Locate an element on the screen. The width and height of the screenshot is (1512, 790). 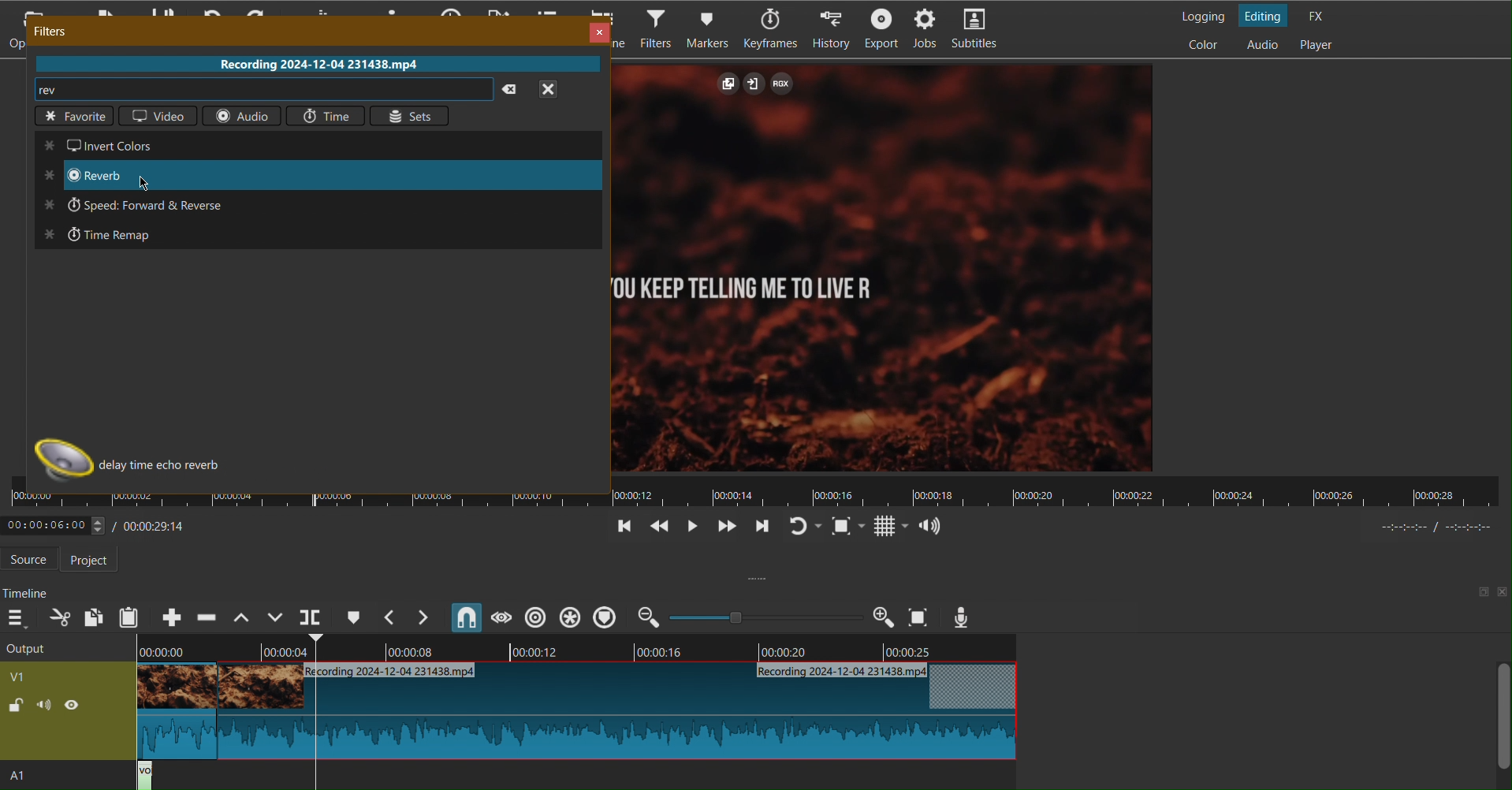
Scrub is located at coordinates (501, 617).